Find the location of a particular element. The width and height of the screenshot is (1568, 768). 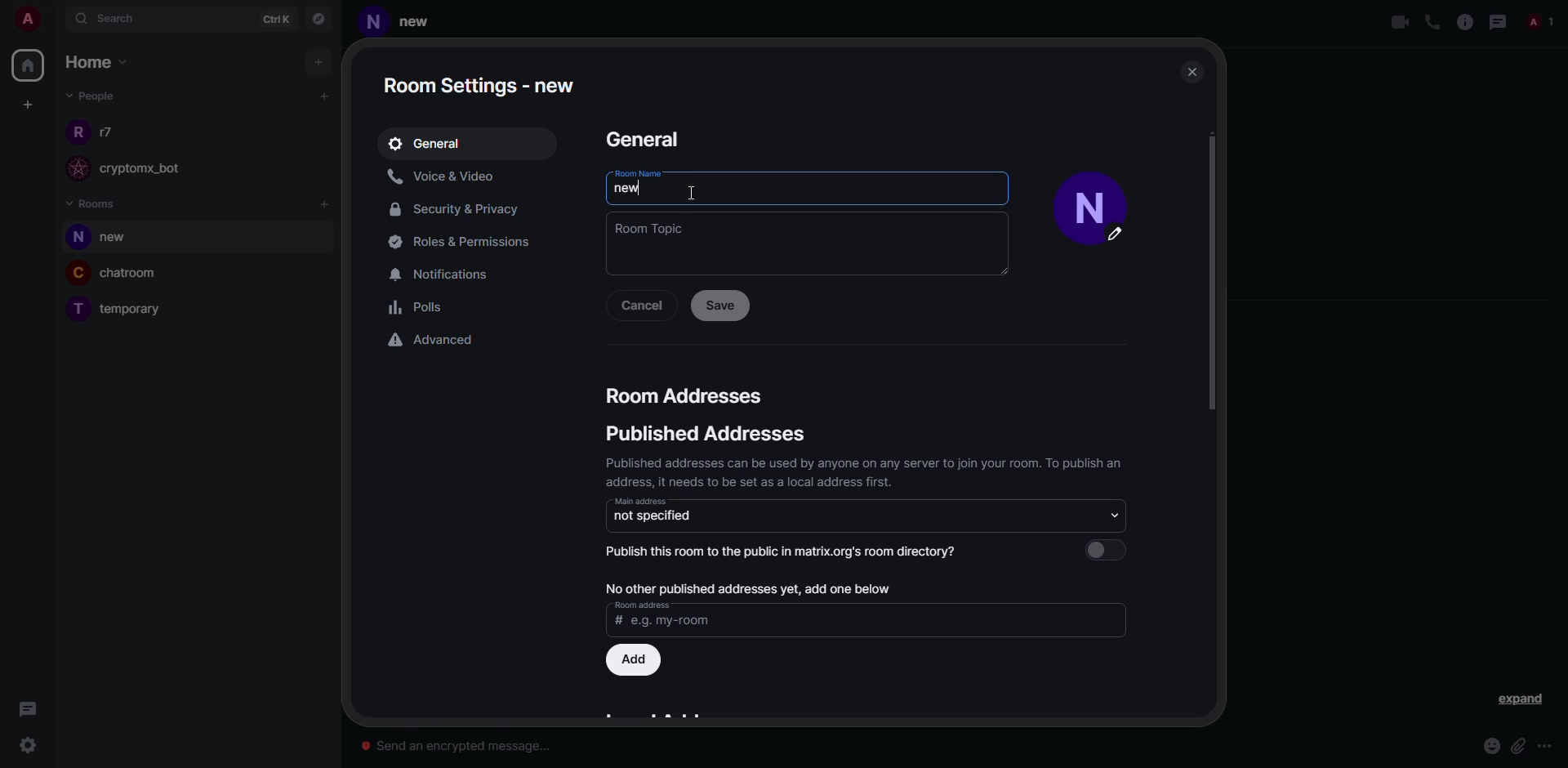

roles is located at coordinates (457, 242).